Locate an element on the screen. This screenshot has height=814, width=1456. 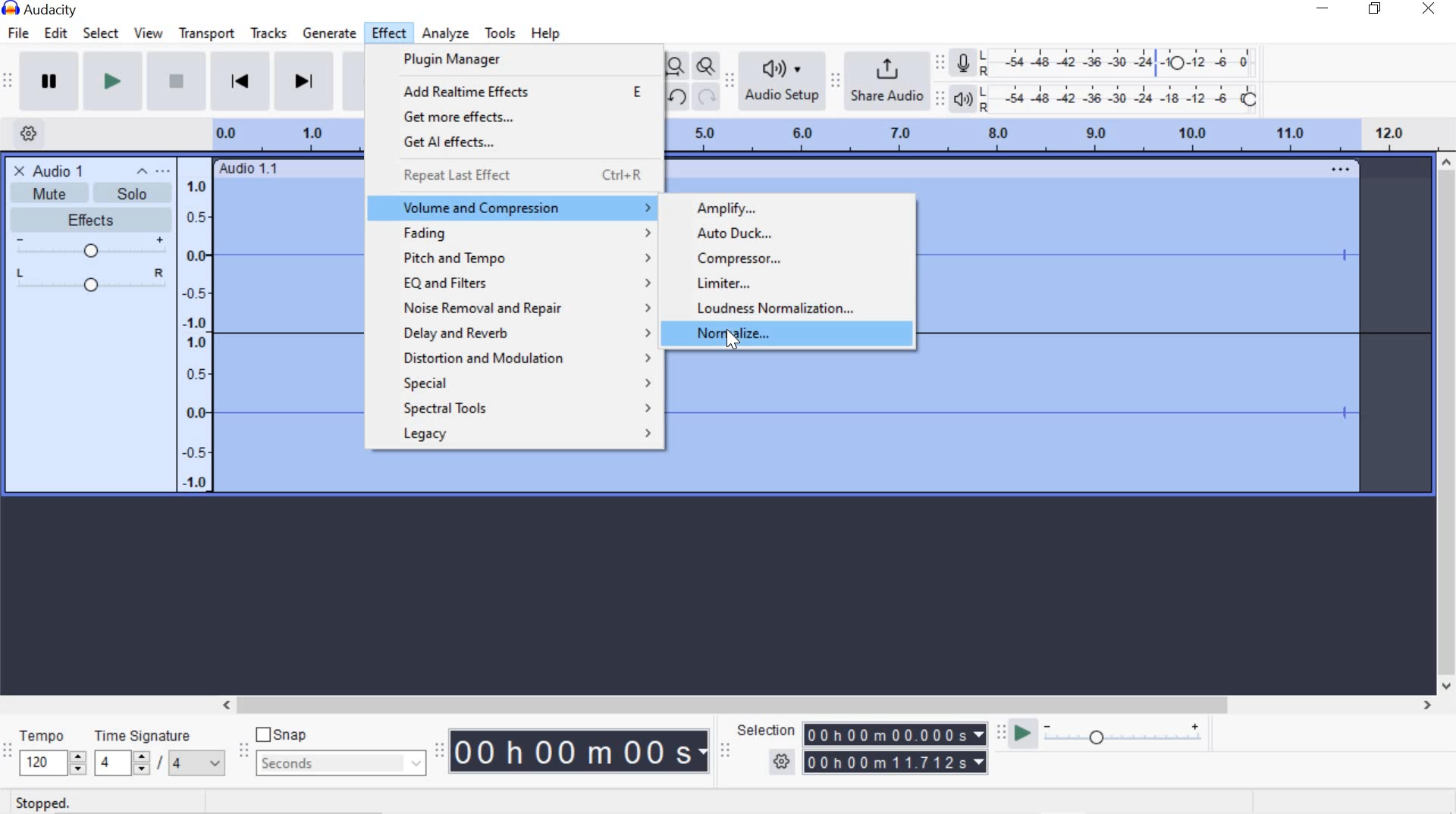
get more effects is located at coordinates (522, 118).